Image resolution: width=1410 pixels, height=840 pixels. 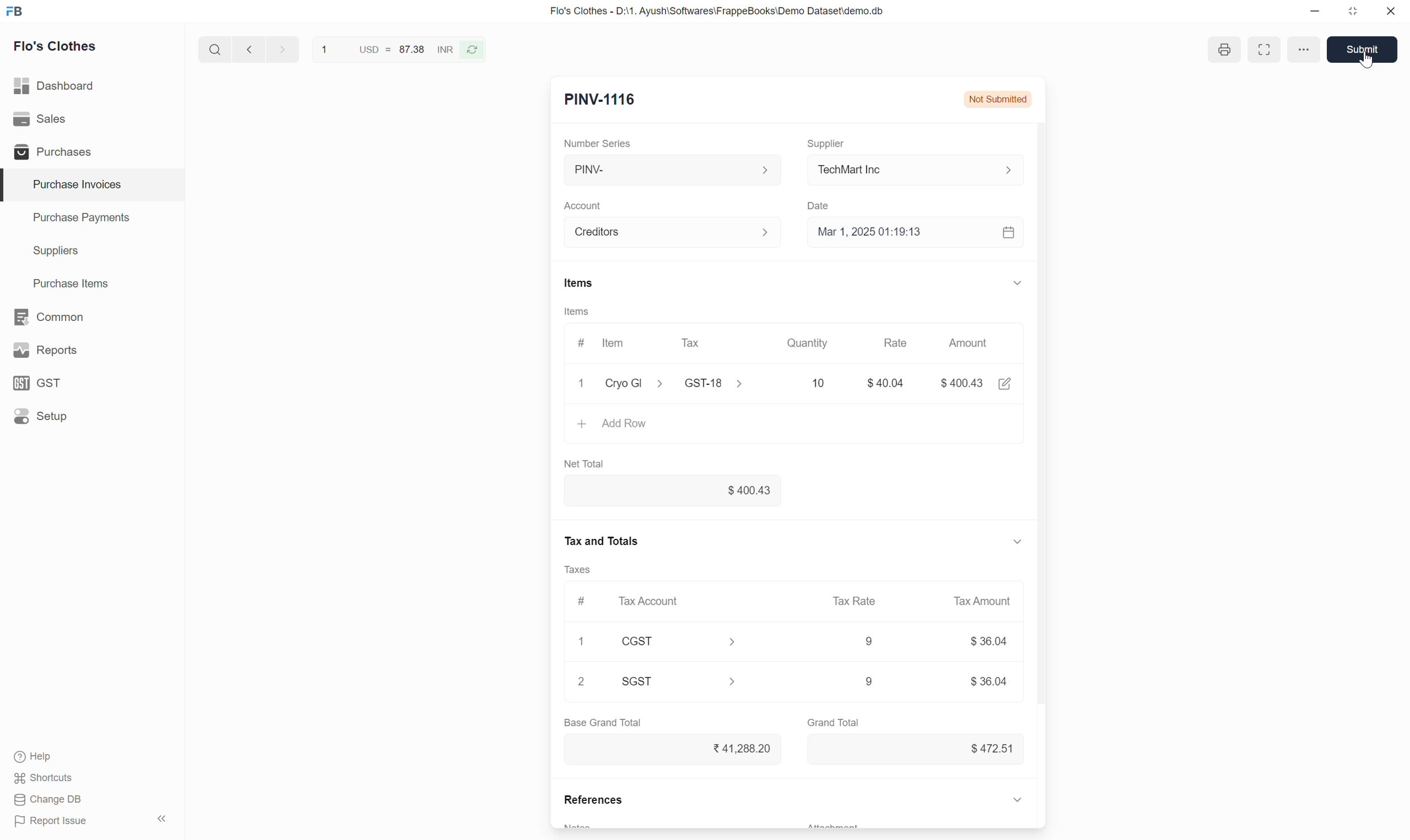 What do you see at coordinates (831, 139) in the screenshot?
I see `Supplier` at bounding box center [831, 139].